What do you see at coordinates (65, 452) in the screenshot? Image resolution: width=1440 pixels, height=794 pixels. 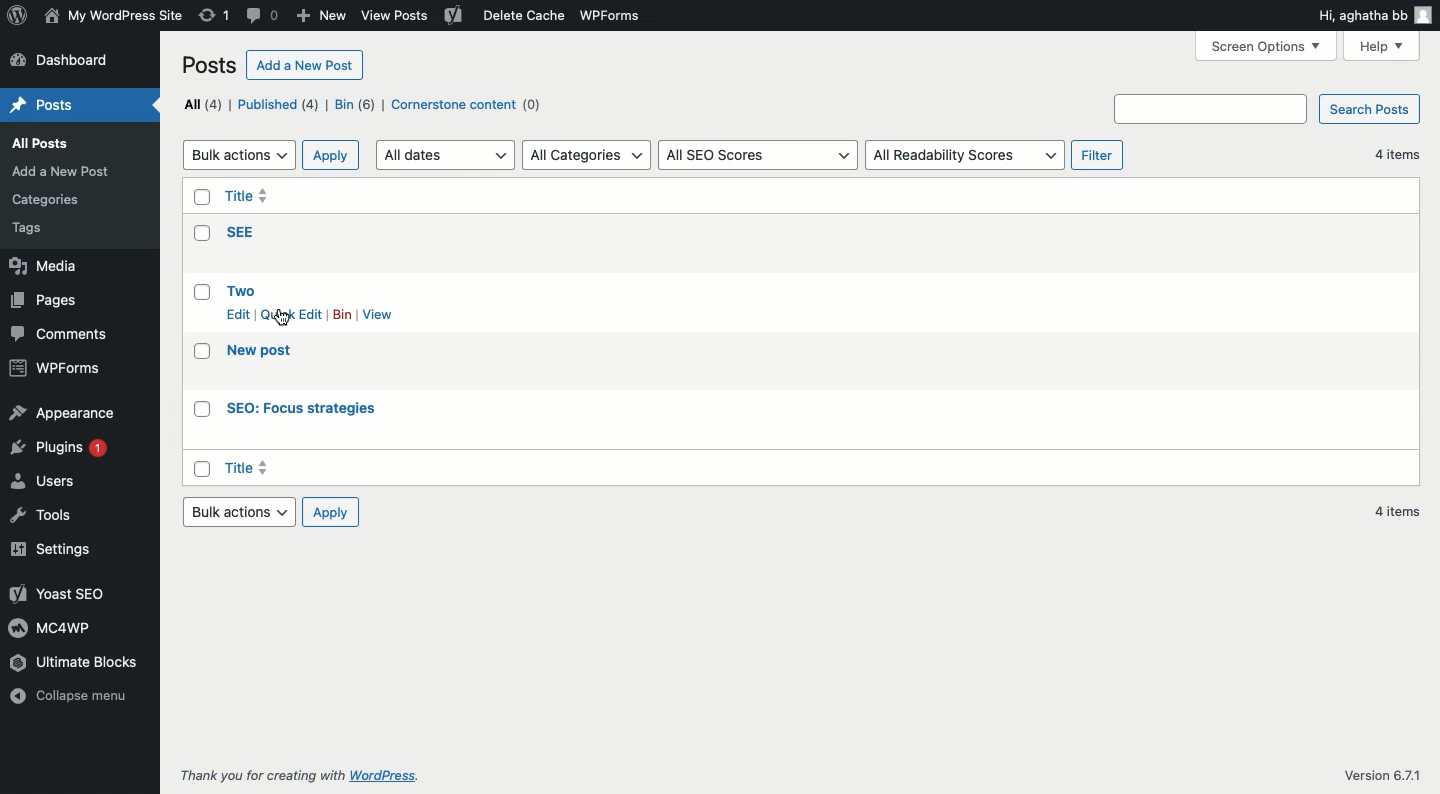 I see `Plugins` at bounding box center [65, 452].